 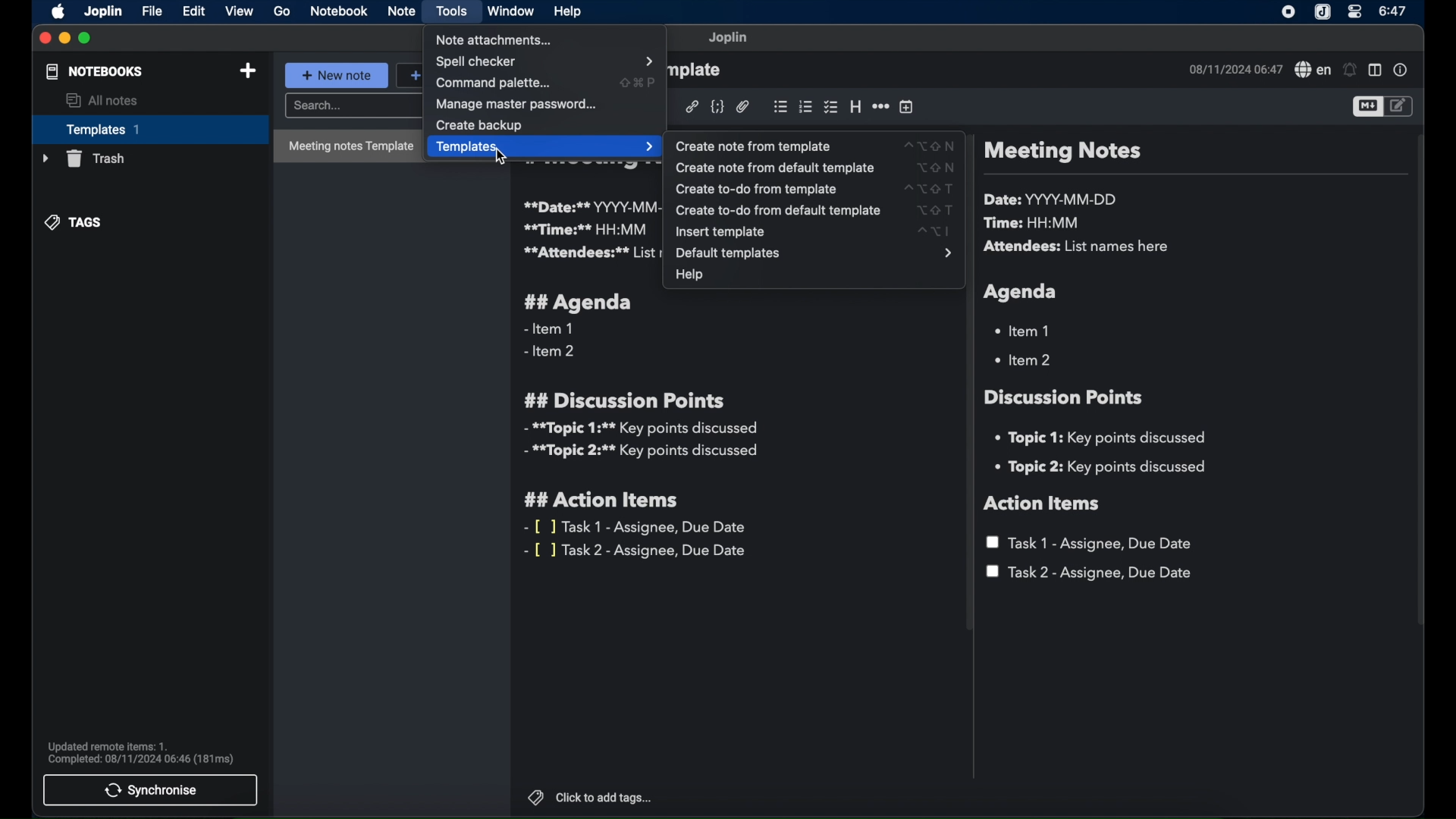 What do you see at coordinates (906, 107) in the screenshot?
I see `insert time` at bounding box center [906, 107].